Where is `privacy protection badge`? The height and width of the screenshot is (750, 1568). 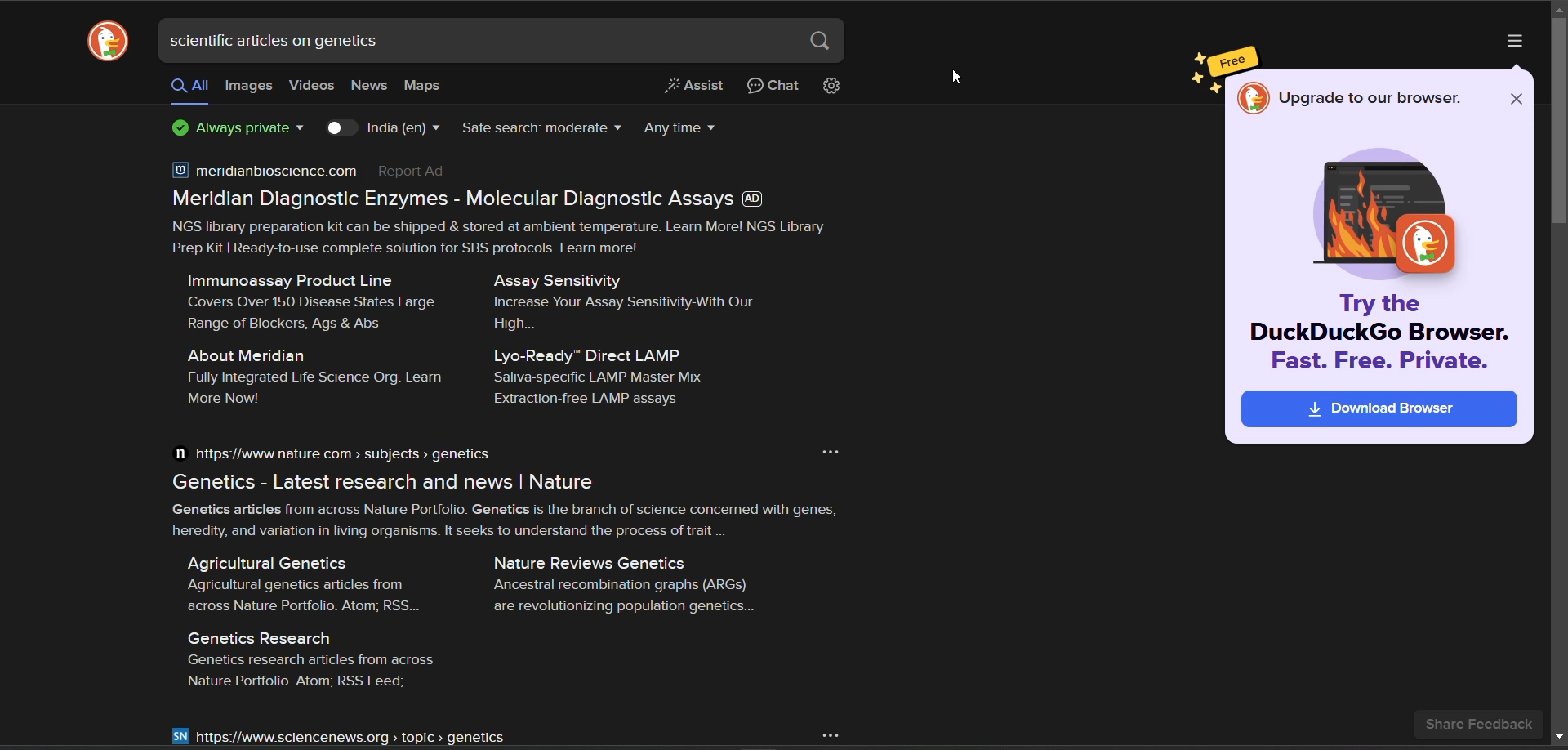 privacy protection badge is located at coordinates (239, 129).